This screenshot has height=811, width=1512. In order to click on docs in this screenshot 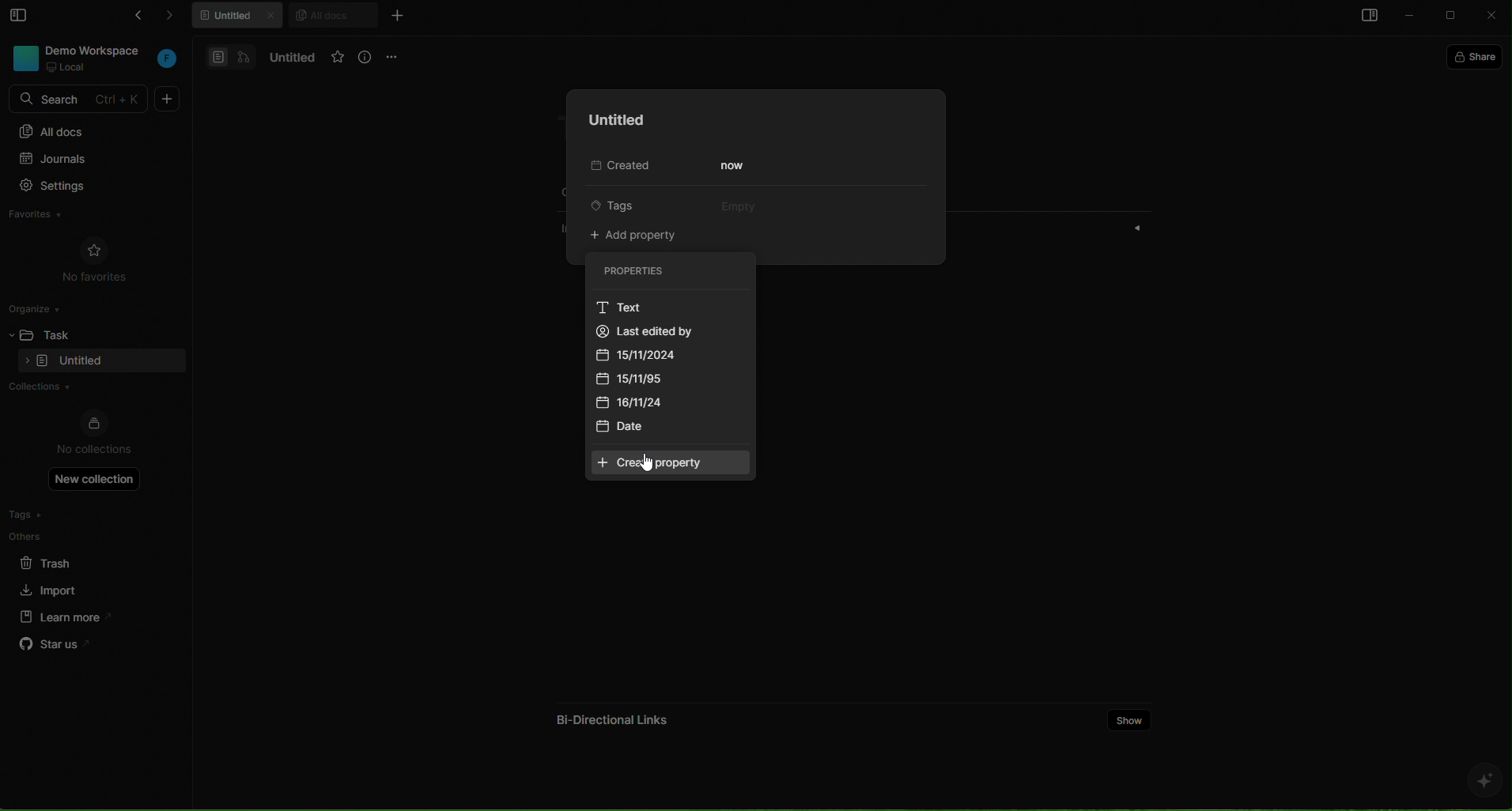, I will do `click(231, 56)`.